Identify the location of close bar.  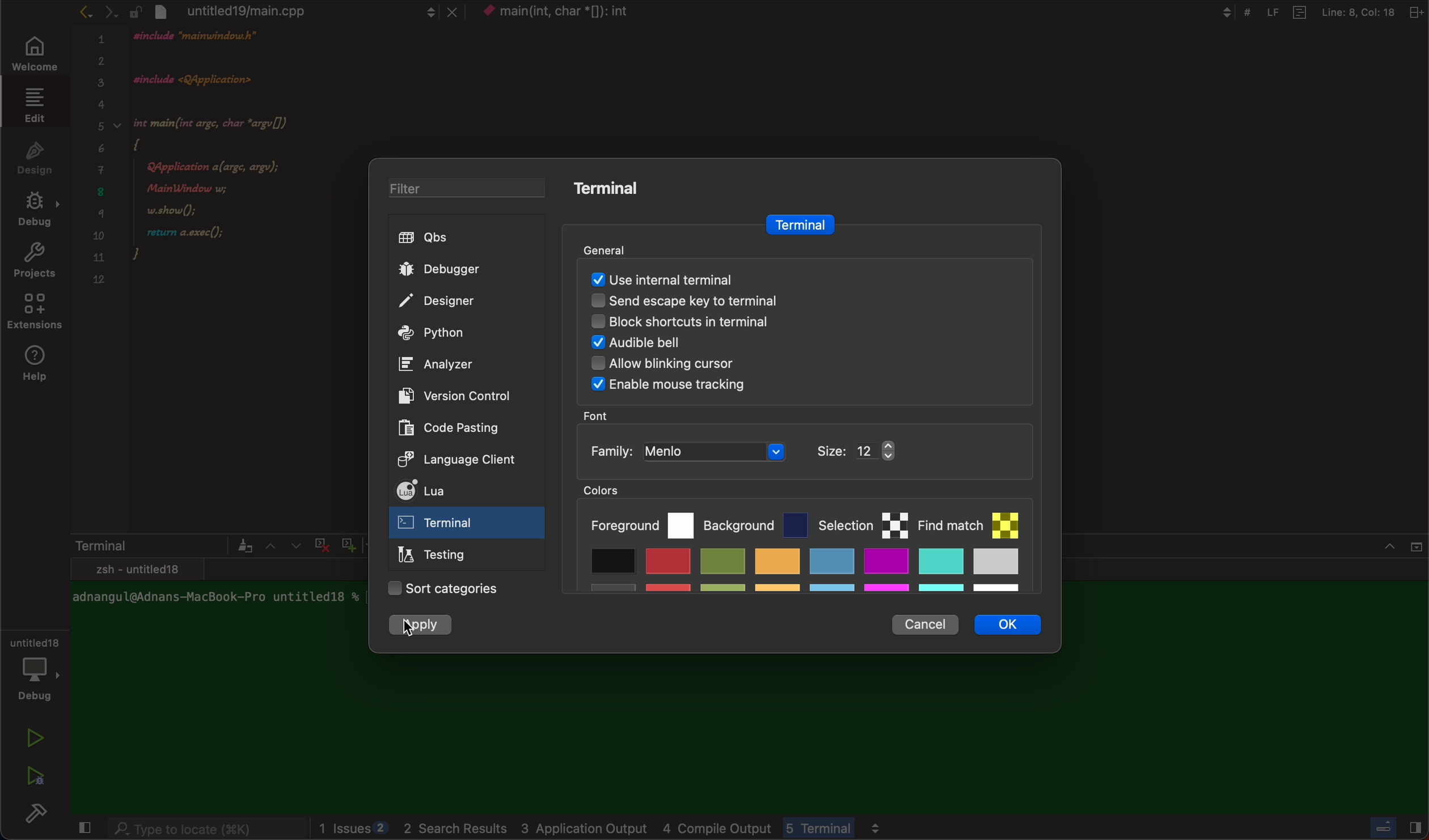
(1373, 553).